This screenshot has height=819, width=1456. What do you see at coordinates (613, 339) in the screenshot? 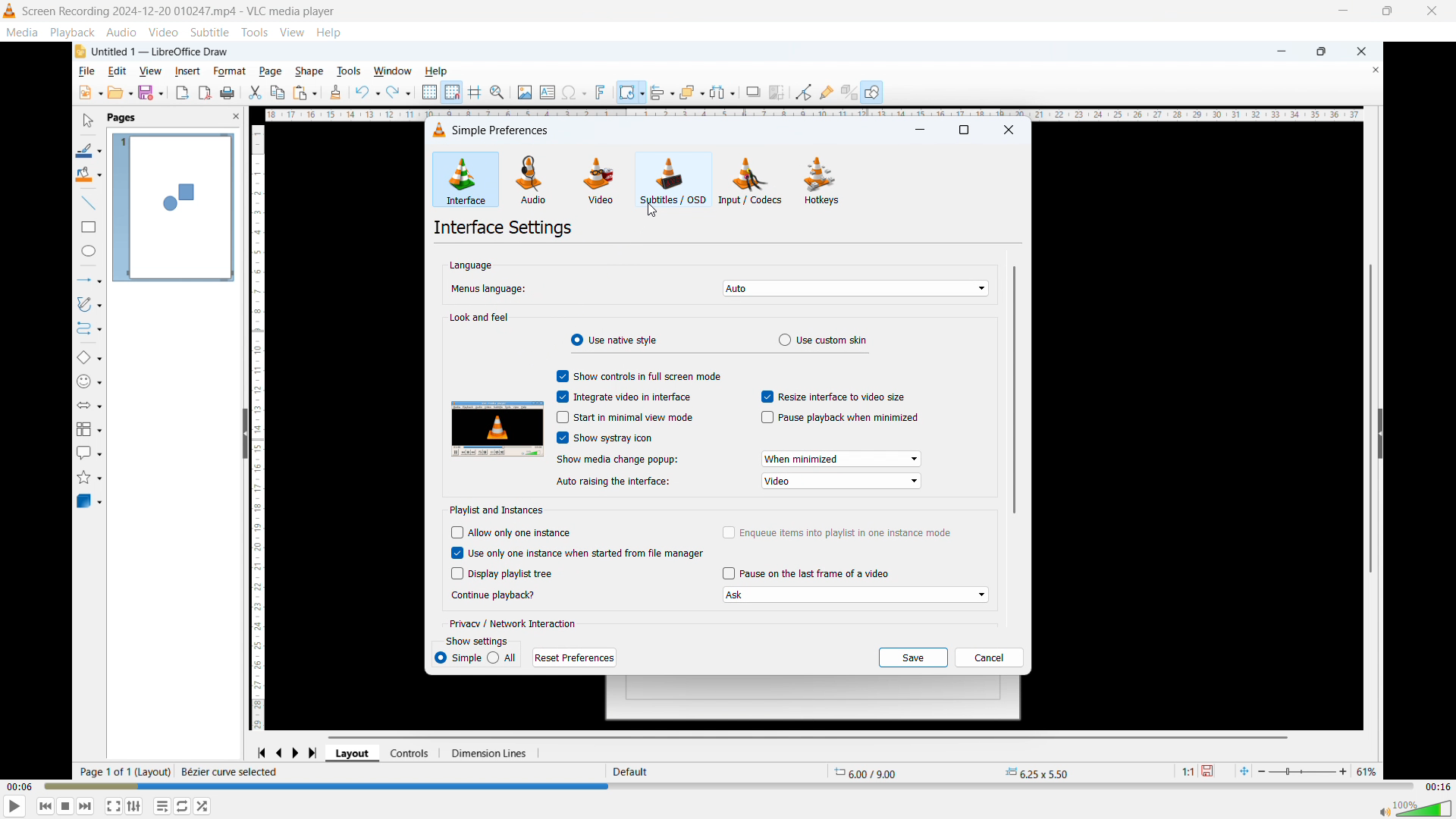
I see `Use native style ` at bounding box center [613, 339].